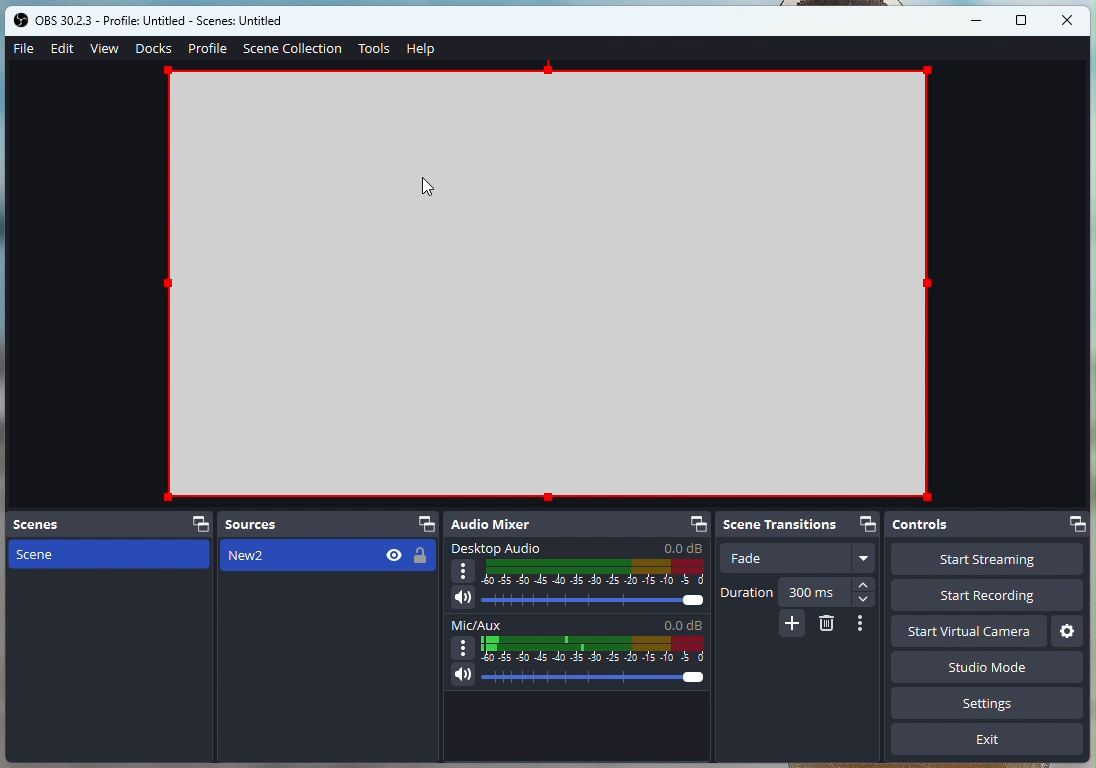 This screenshot has height=768, width=1096. What do you see at coordinates (577, 654) in the screenshot?
I see `Mic/Aux` at bounding box center [577, 654].